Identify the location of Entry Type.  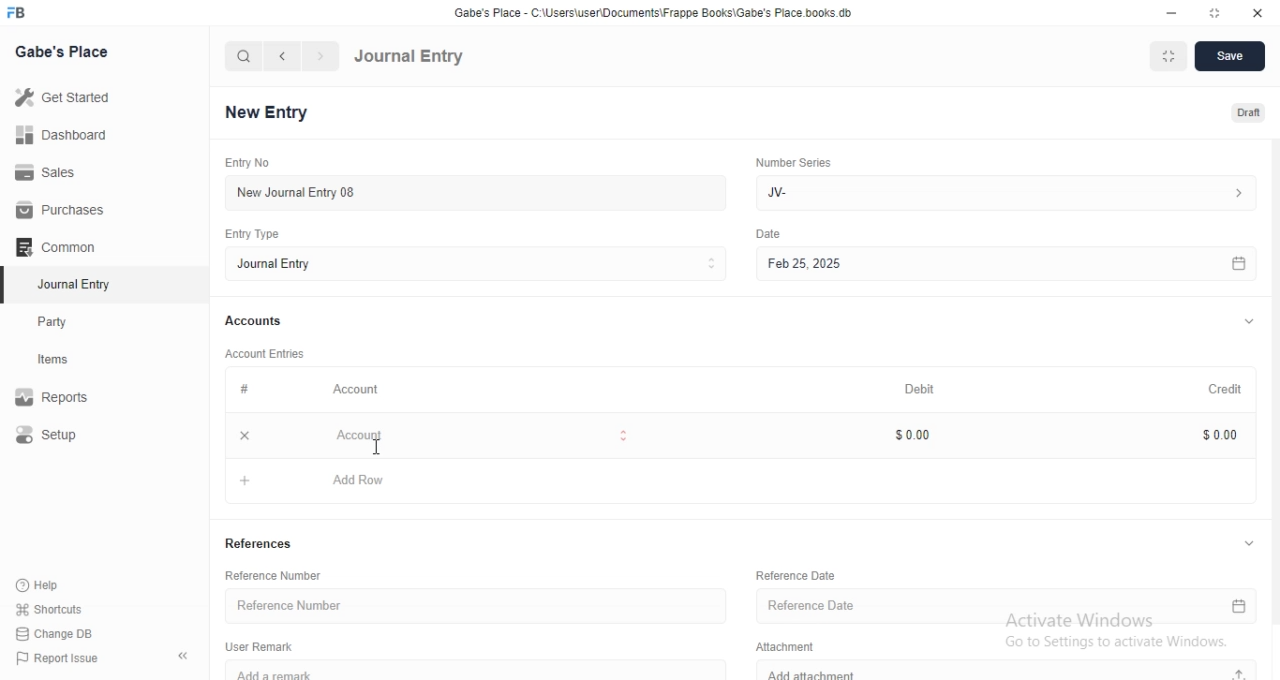
(250, 234).